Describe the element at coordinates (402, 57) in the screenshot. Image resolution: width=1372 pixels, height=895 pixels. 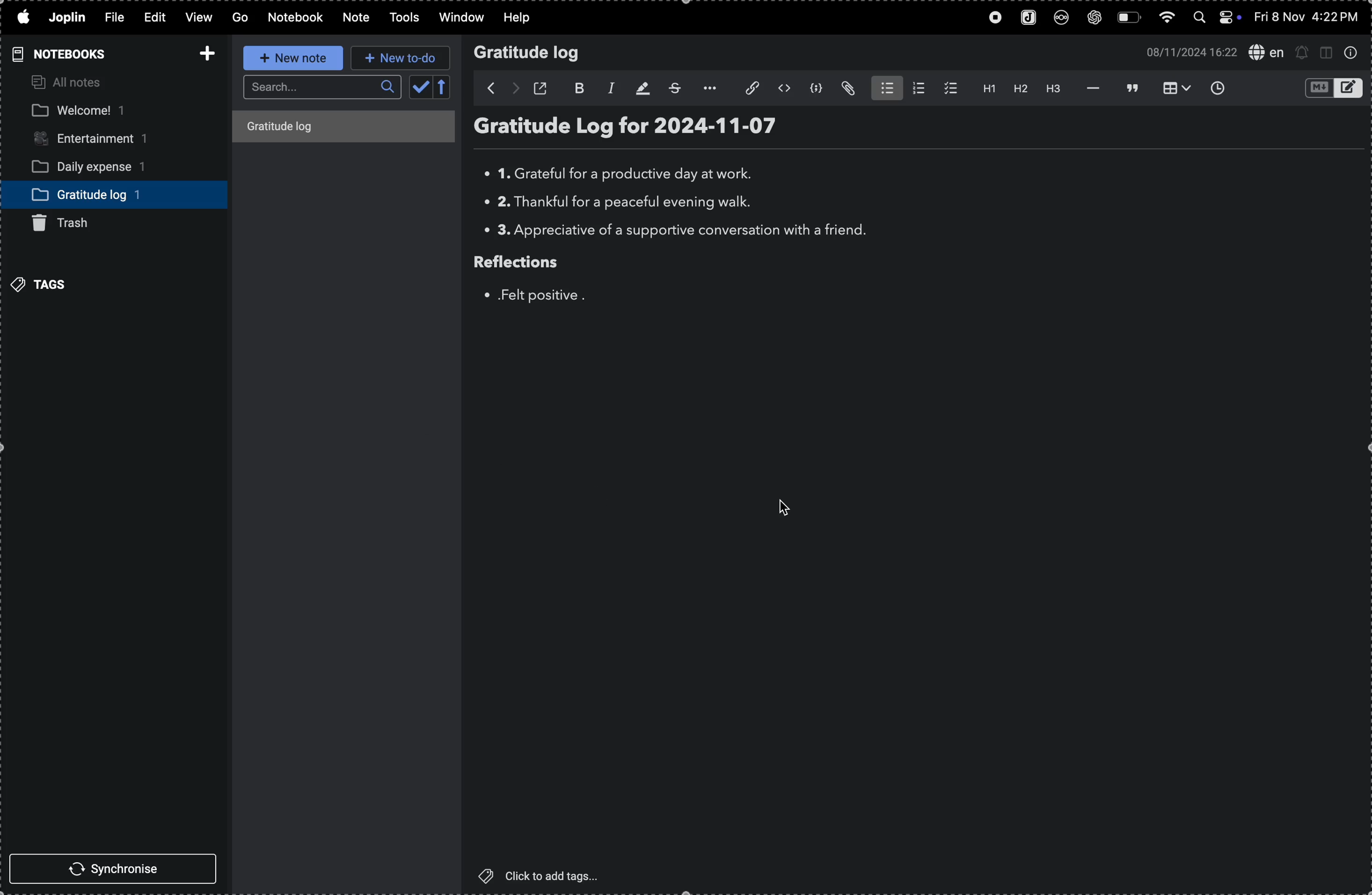
I see `new to do` at that location.